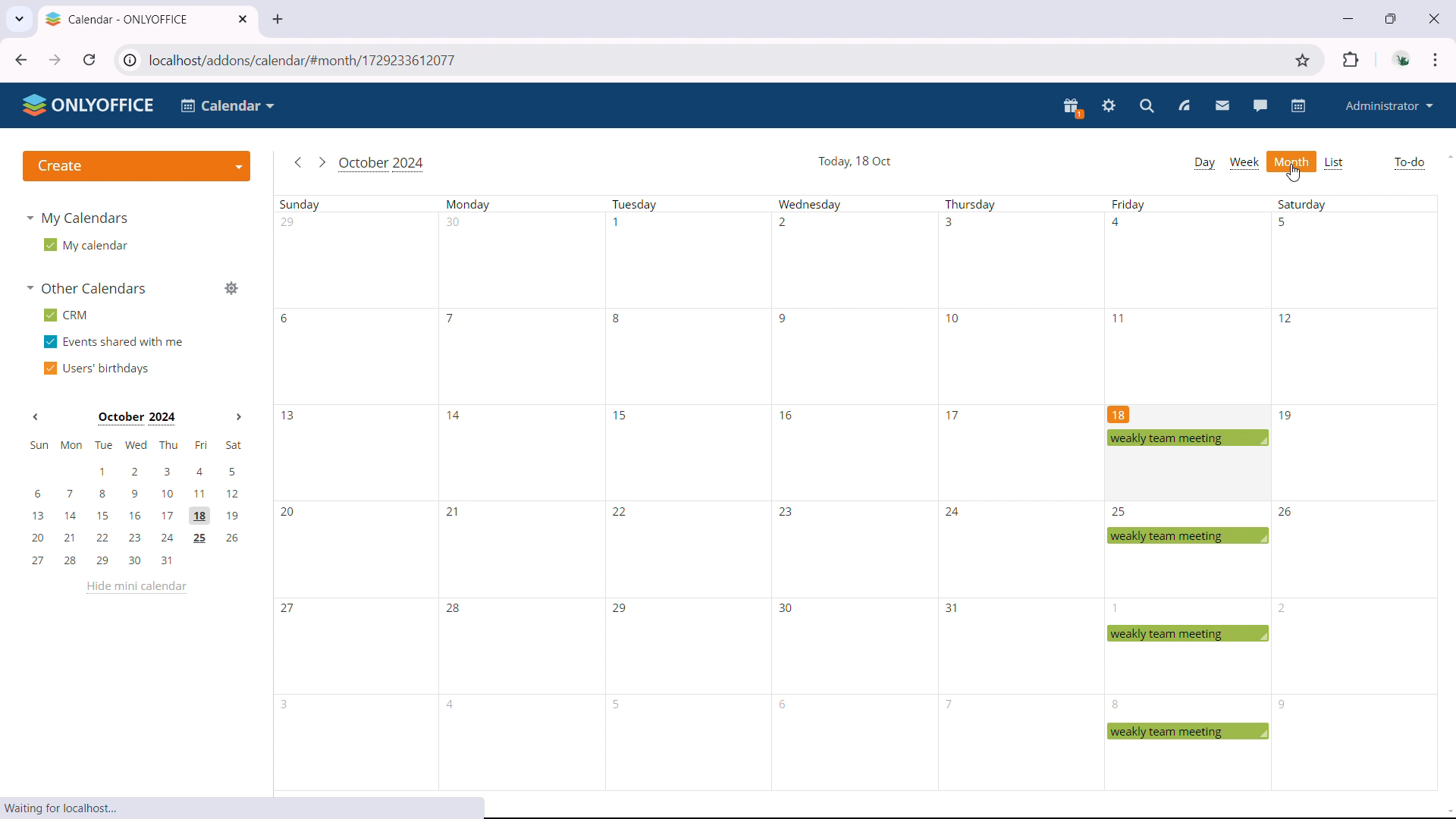 The height and width of the screenshot is (819, 1456). What do you see at coordinates (86, 288) in the screenshot?
I see `other calendars` at bounding box center [86, 288].